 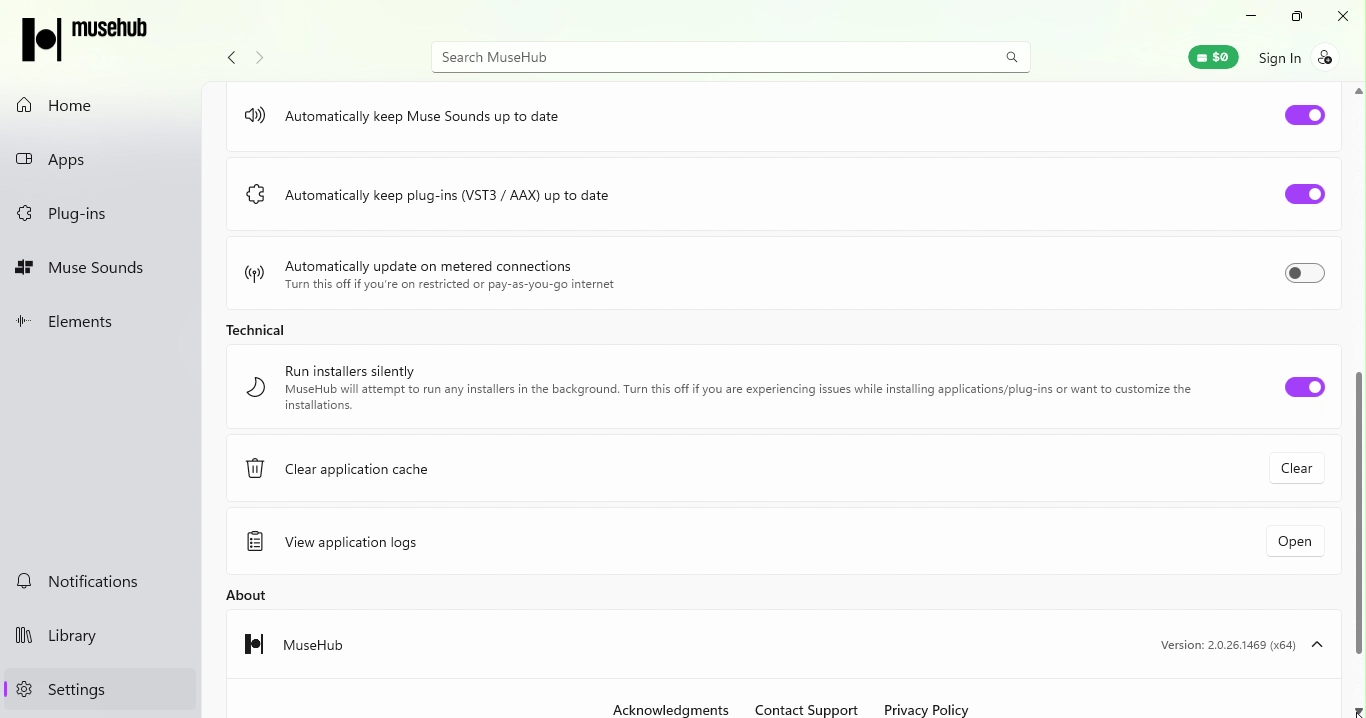 I want to click on About, so click(x=251, y=600).